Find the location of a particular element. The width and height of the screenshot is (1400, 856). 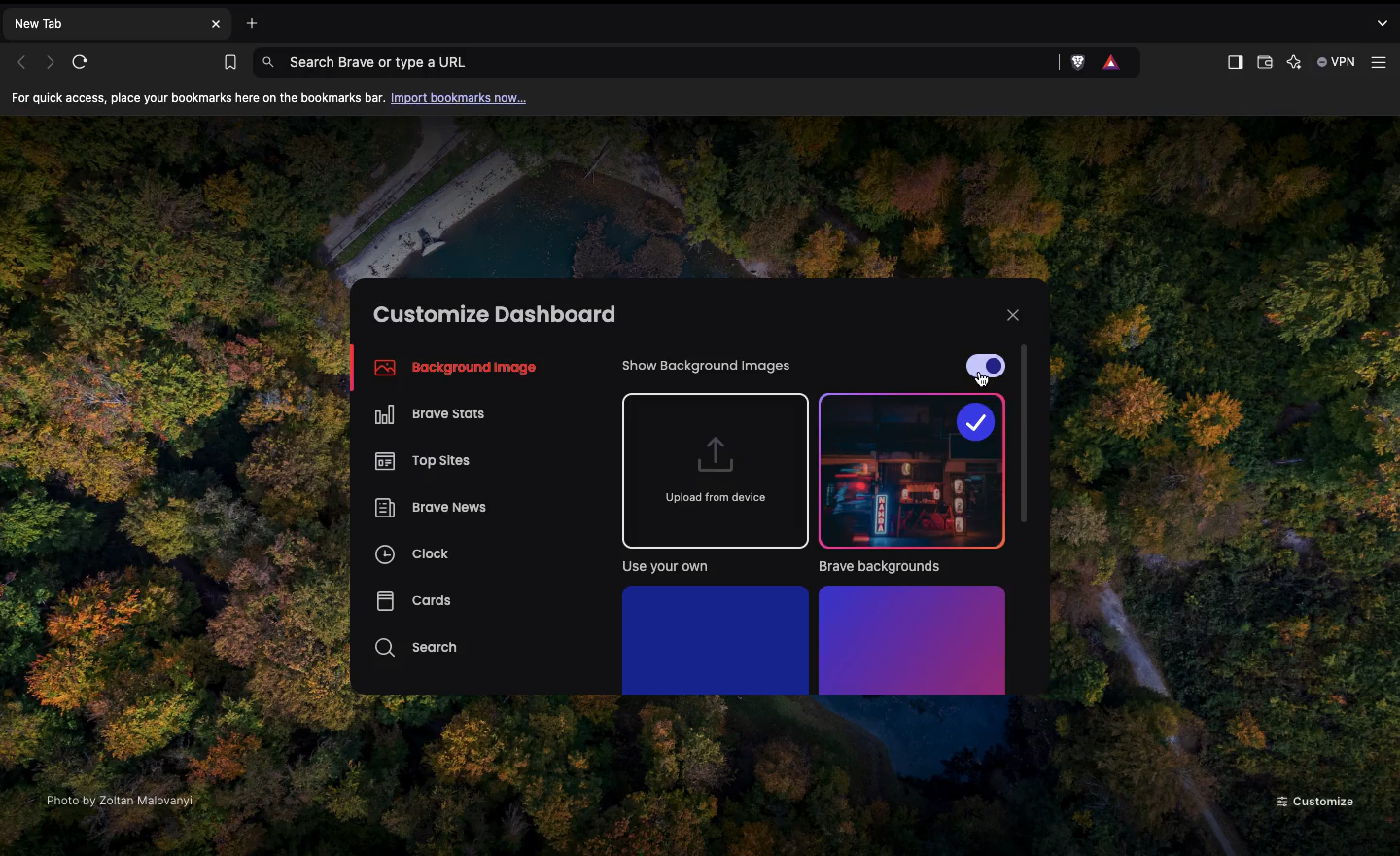

Open new tab is located at coordinates (247, 21).